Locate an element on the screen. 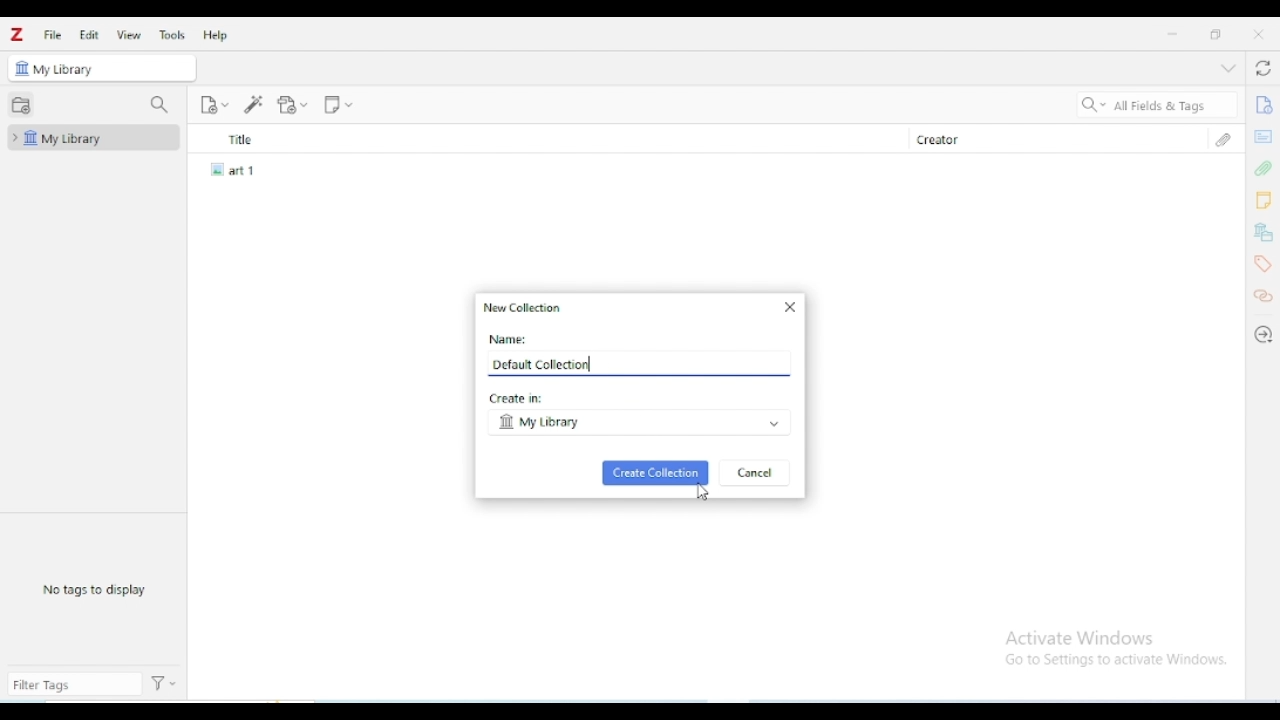  cursor is located at coordinates (703, 494).